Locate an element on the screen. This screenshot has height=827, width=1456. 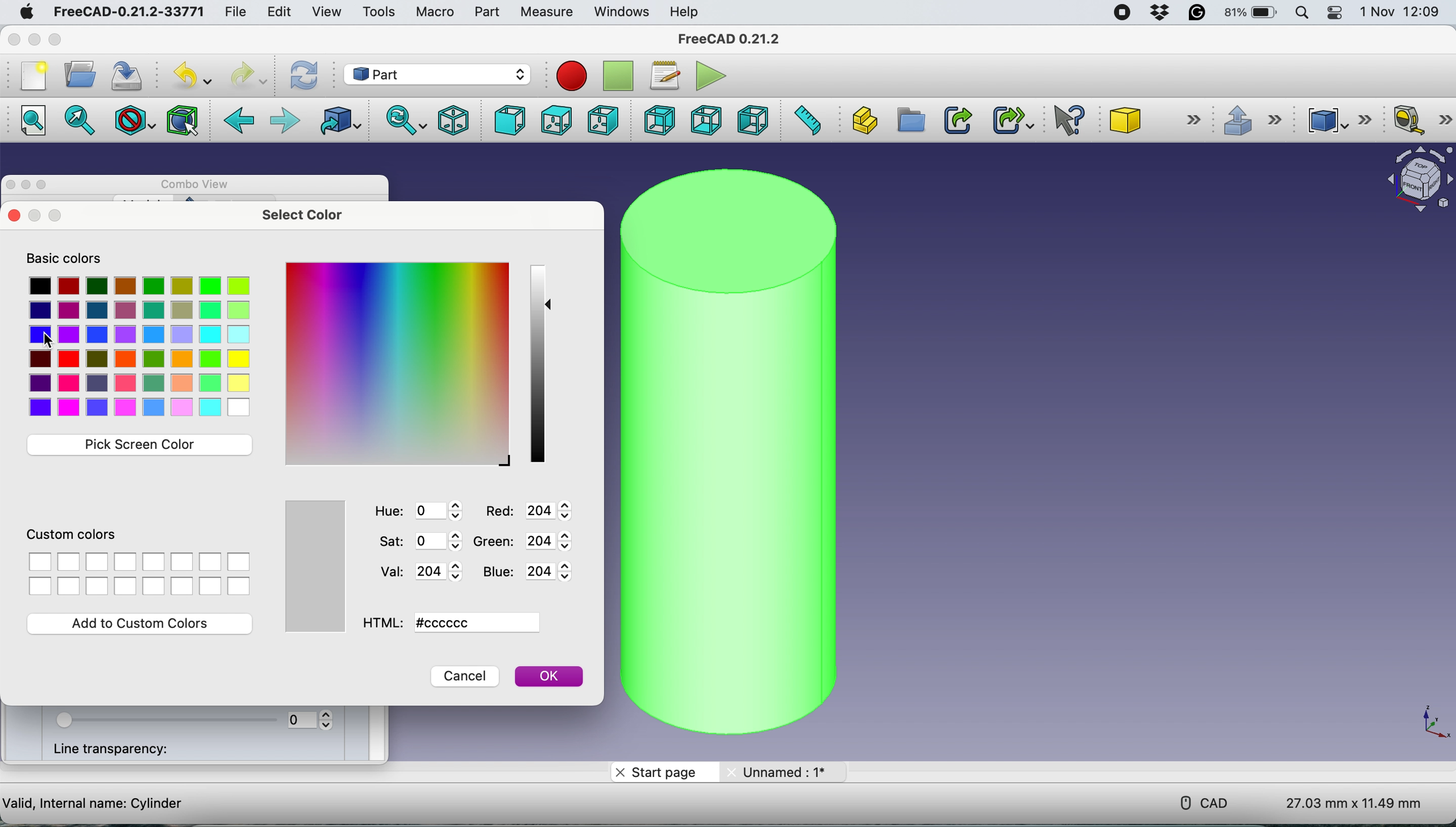
fit selection is located at coordinates (80, 122).